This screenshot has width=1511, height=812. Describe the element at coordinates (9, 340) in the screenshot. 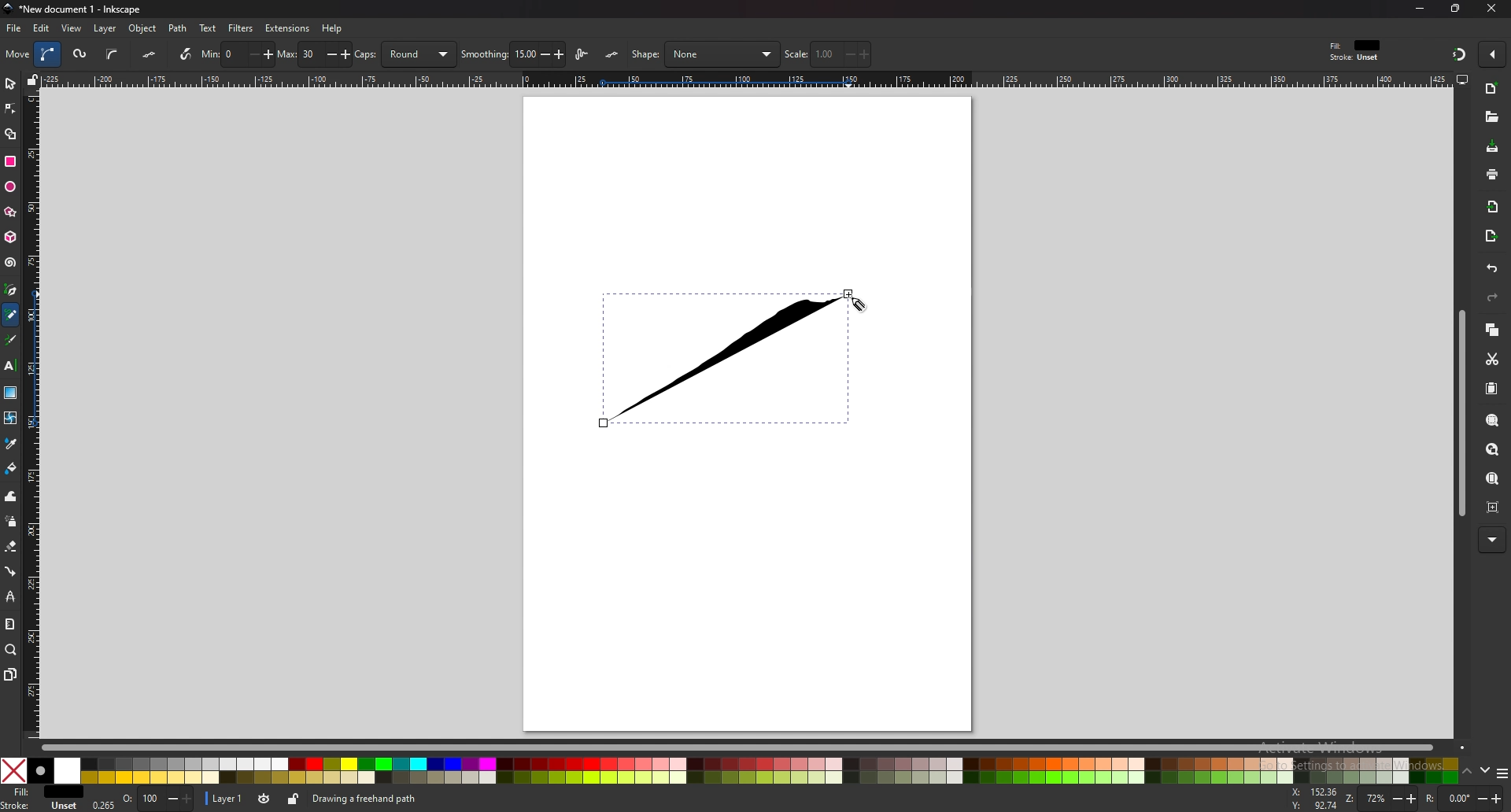

I see `calligraphy` at that location.